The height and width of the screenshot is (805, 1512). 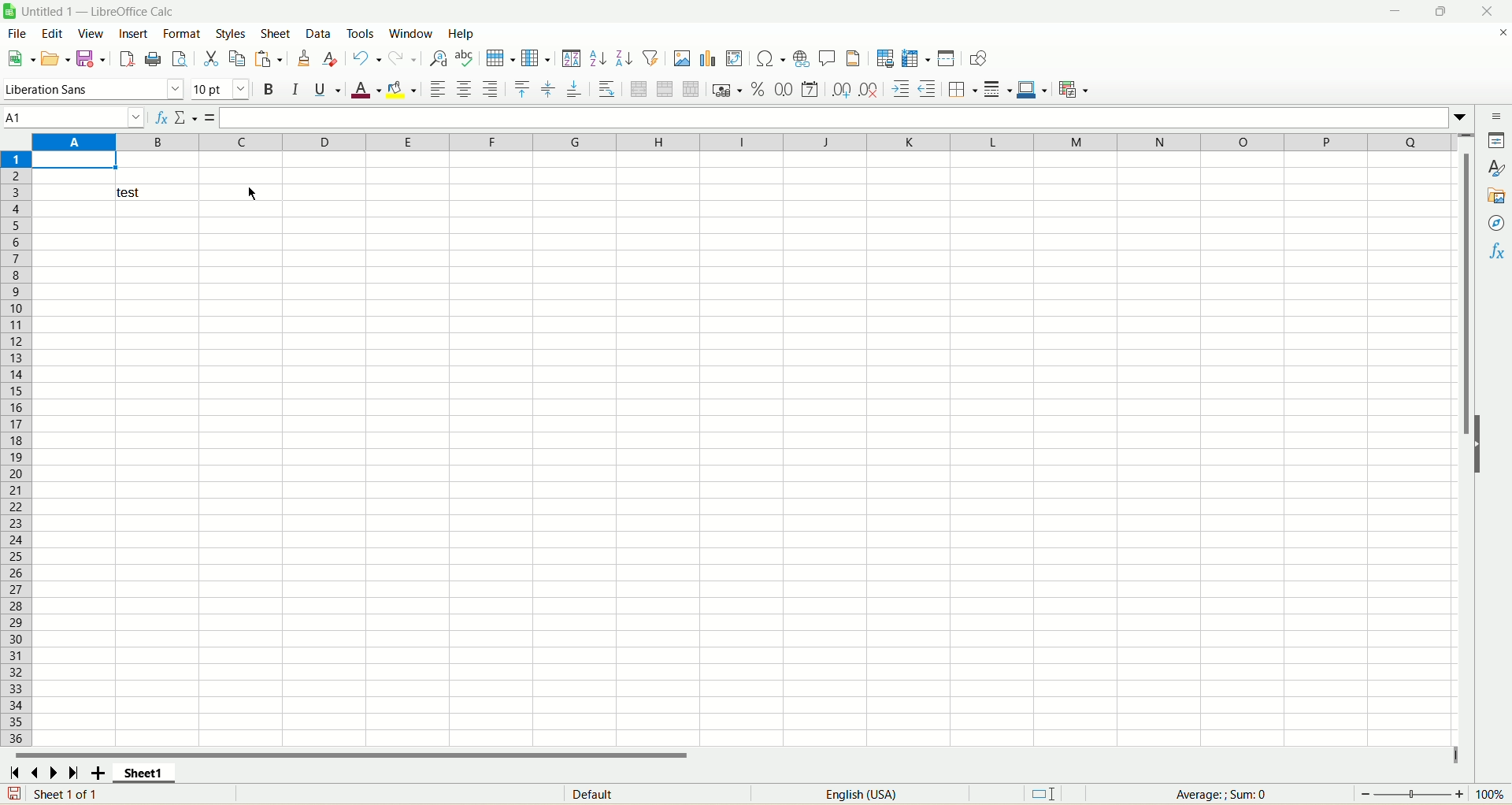 I want to click on insert chart, so click(x=707, y=58).